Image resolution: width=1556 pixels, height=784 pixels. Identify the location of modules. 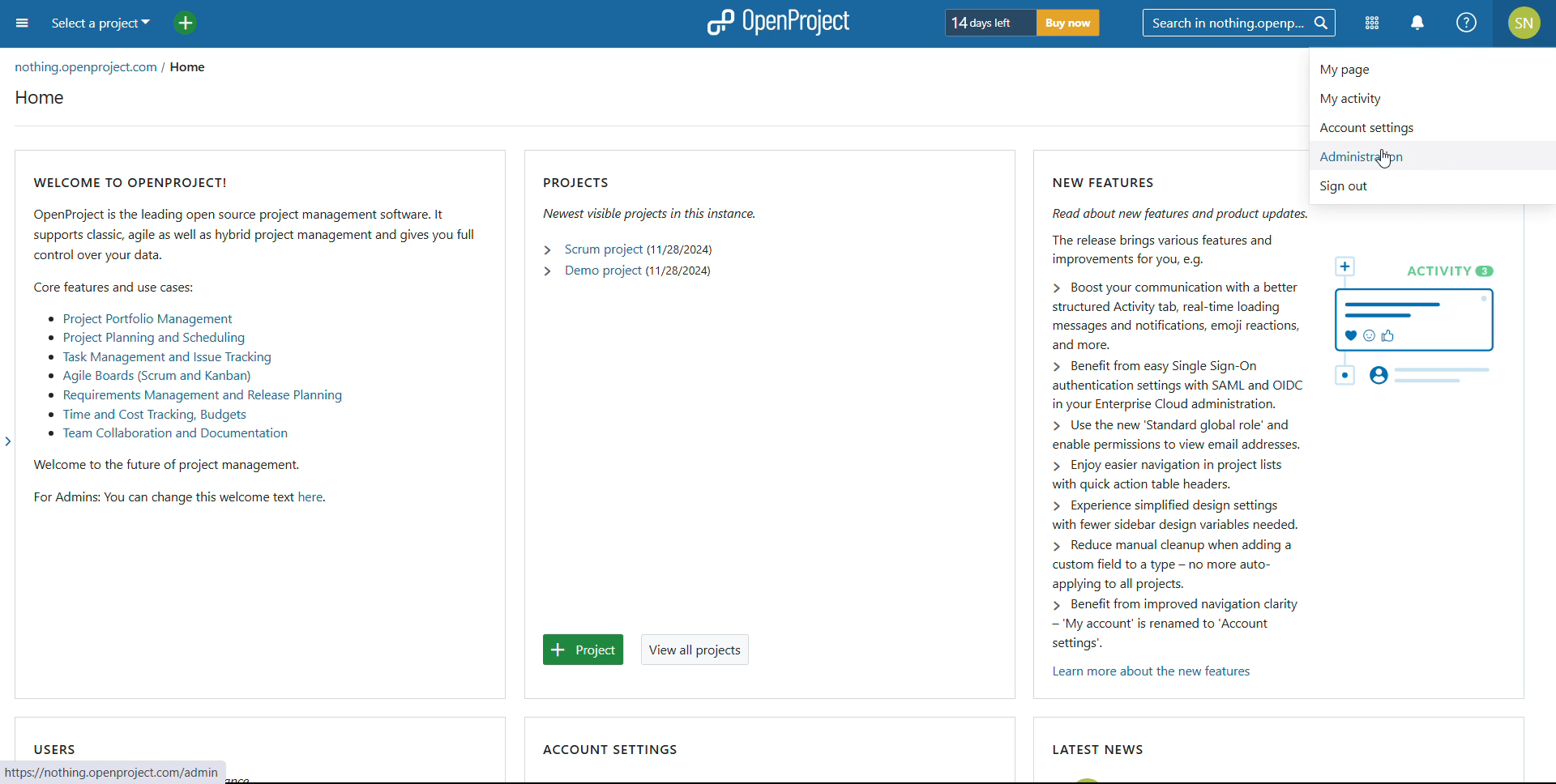
(1371, 24).